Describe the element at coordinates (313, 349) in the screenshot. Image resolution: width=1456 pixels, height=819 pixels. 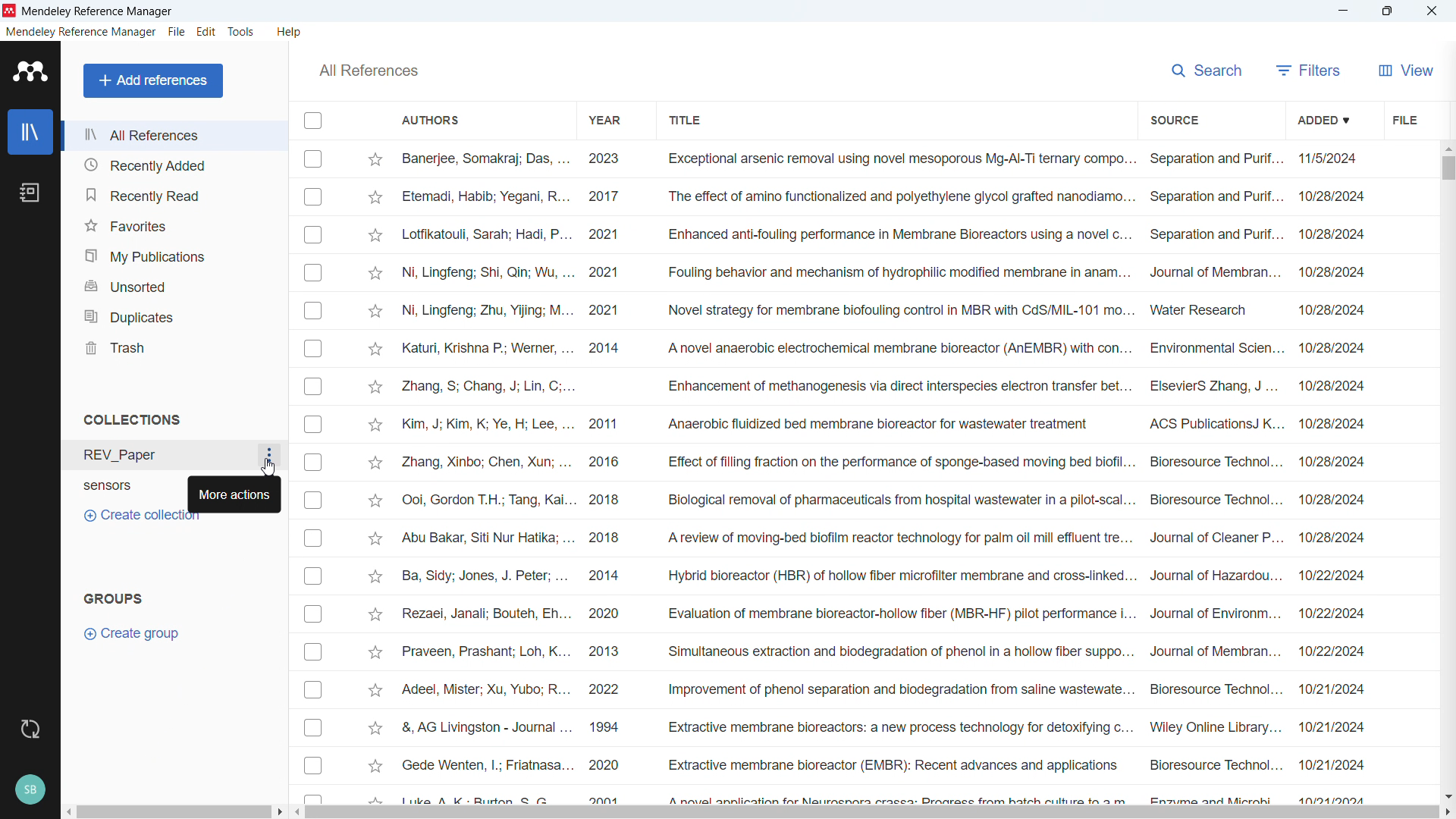
I see `Select respective publication` at that location.